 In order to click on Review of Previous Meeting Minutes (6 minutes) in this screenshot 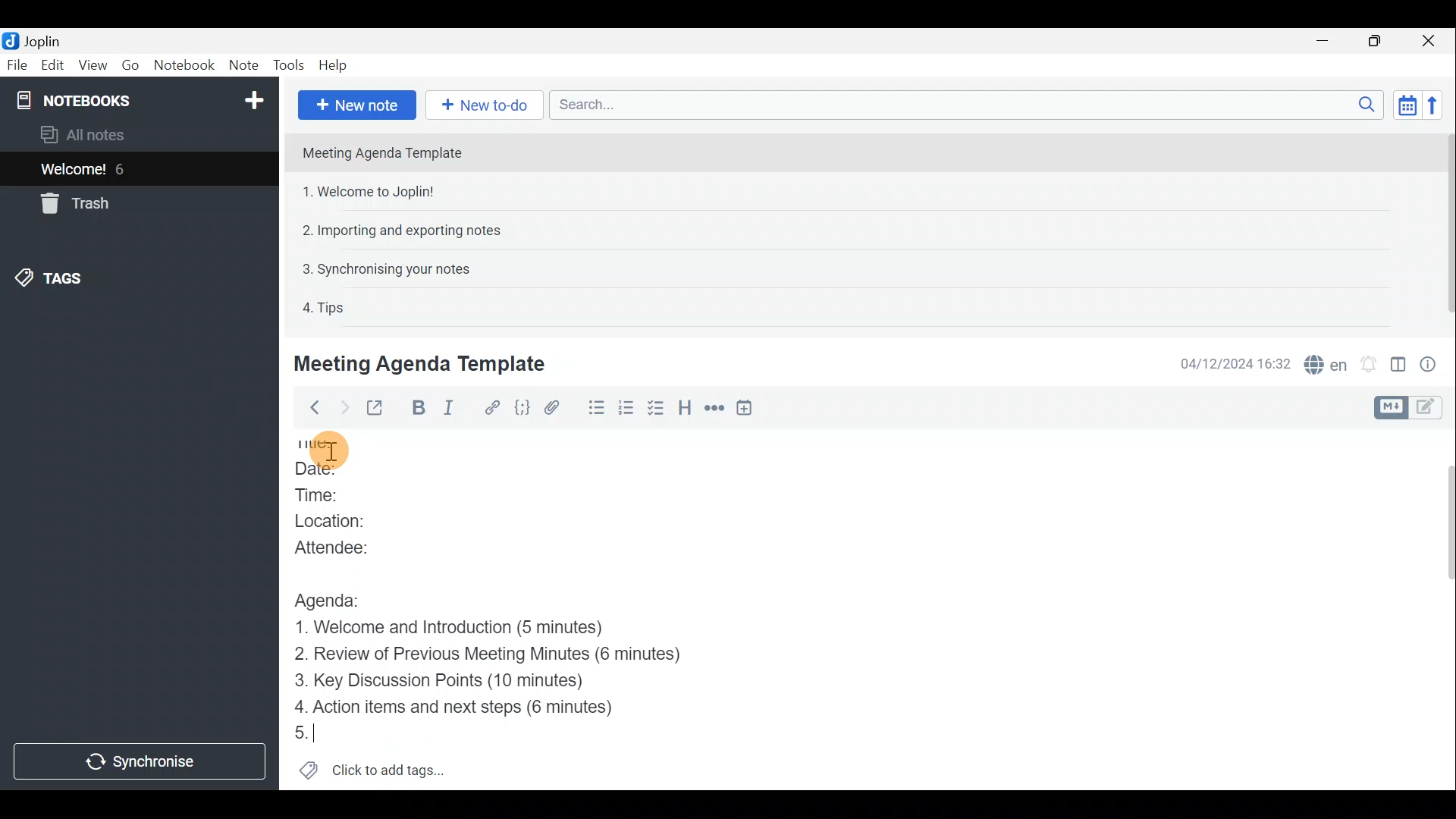, I will do `click(512, 657)`.